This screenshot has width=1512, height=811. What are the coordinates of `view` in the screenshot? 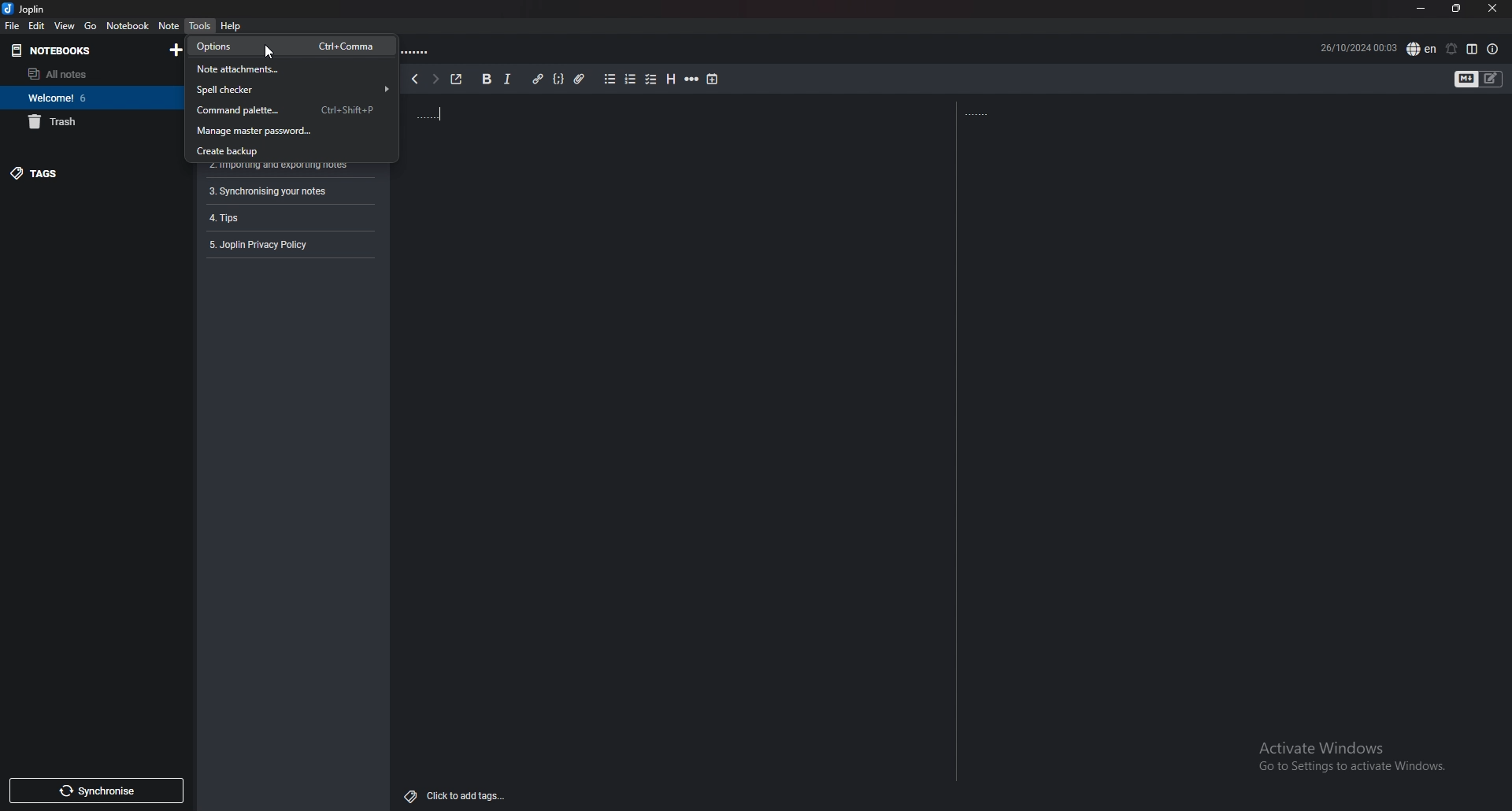 It's located at (65, 25).